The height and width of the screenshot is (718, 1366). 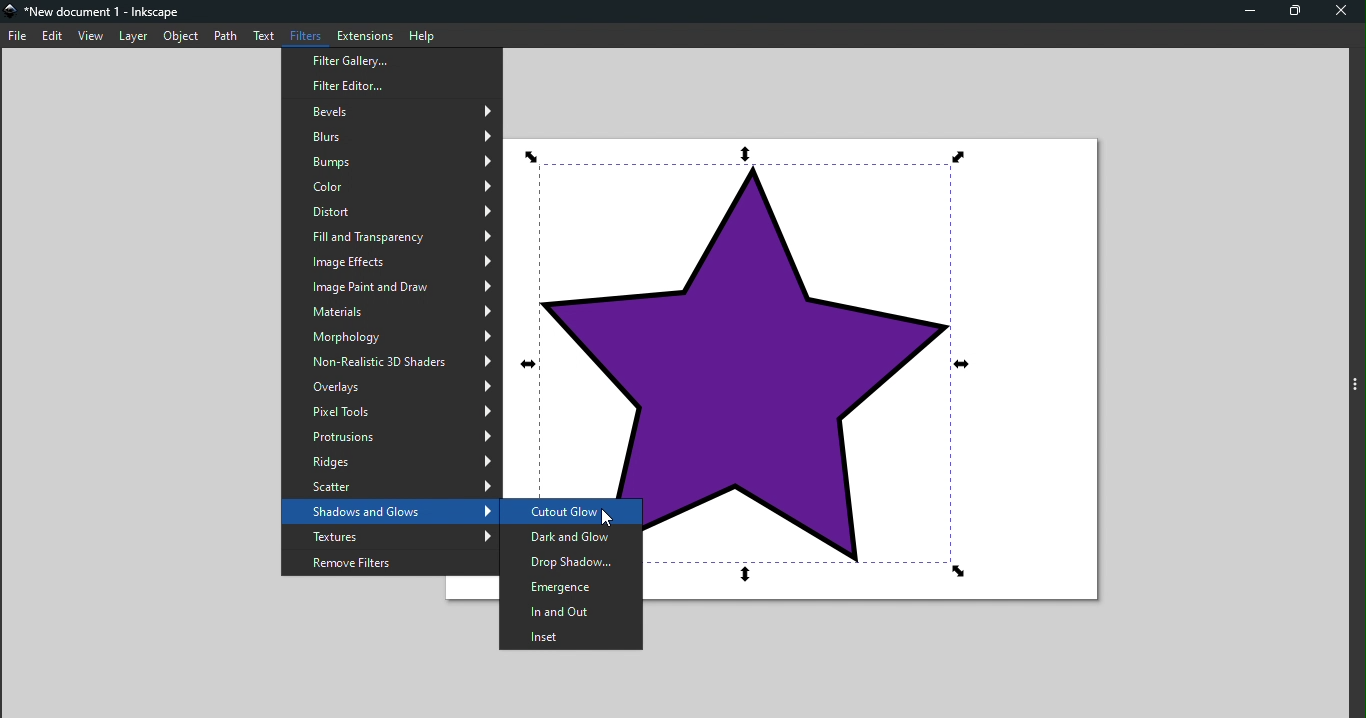 I want to click on Overlays, so click(x=393, y=387).